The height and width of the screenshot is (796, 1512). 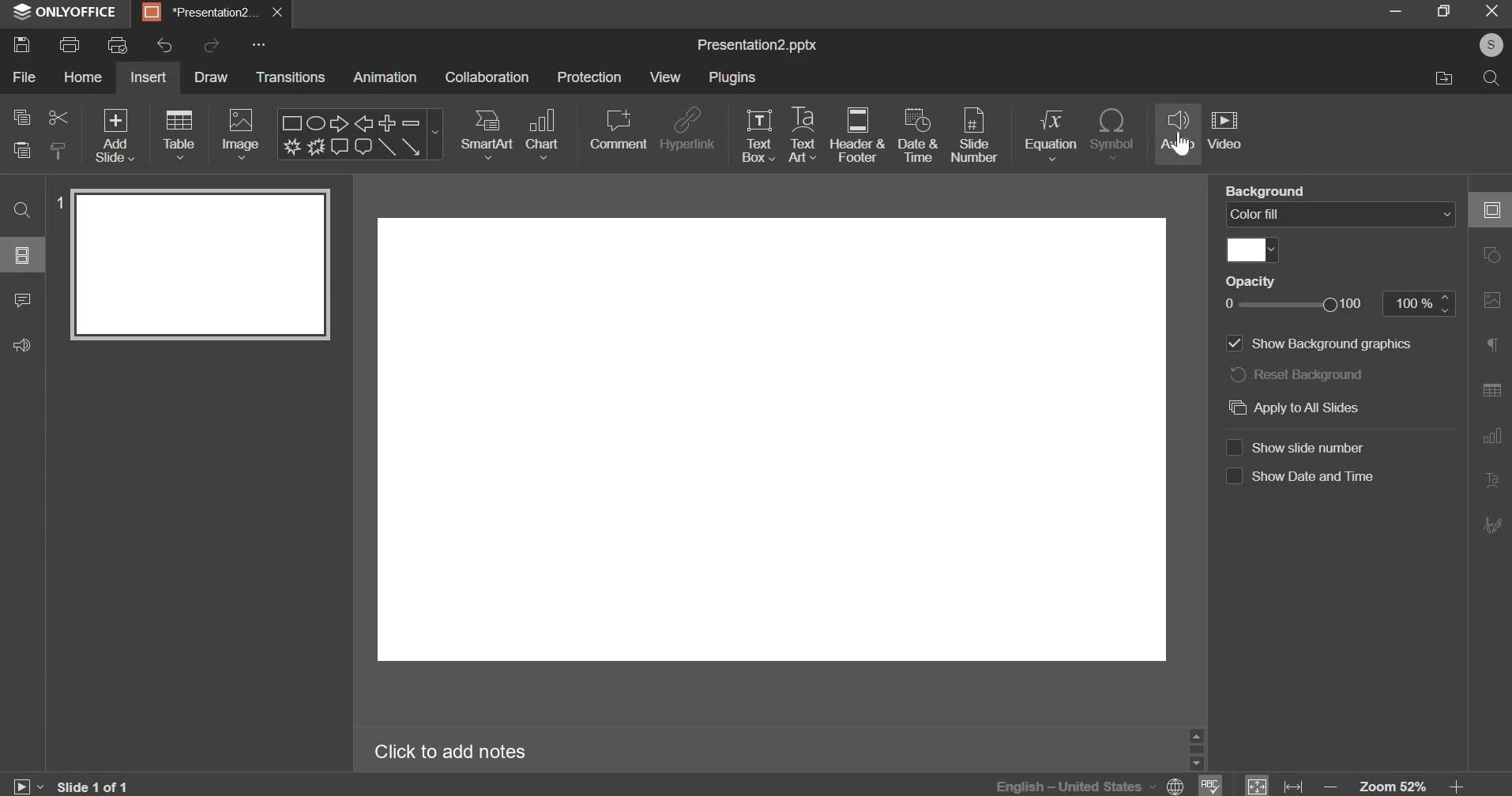 I want to click on increase/decrease opacity, so click(x=1447, y=303).